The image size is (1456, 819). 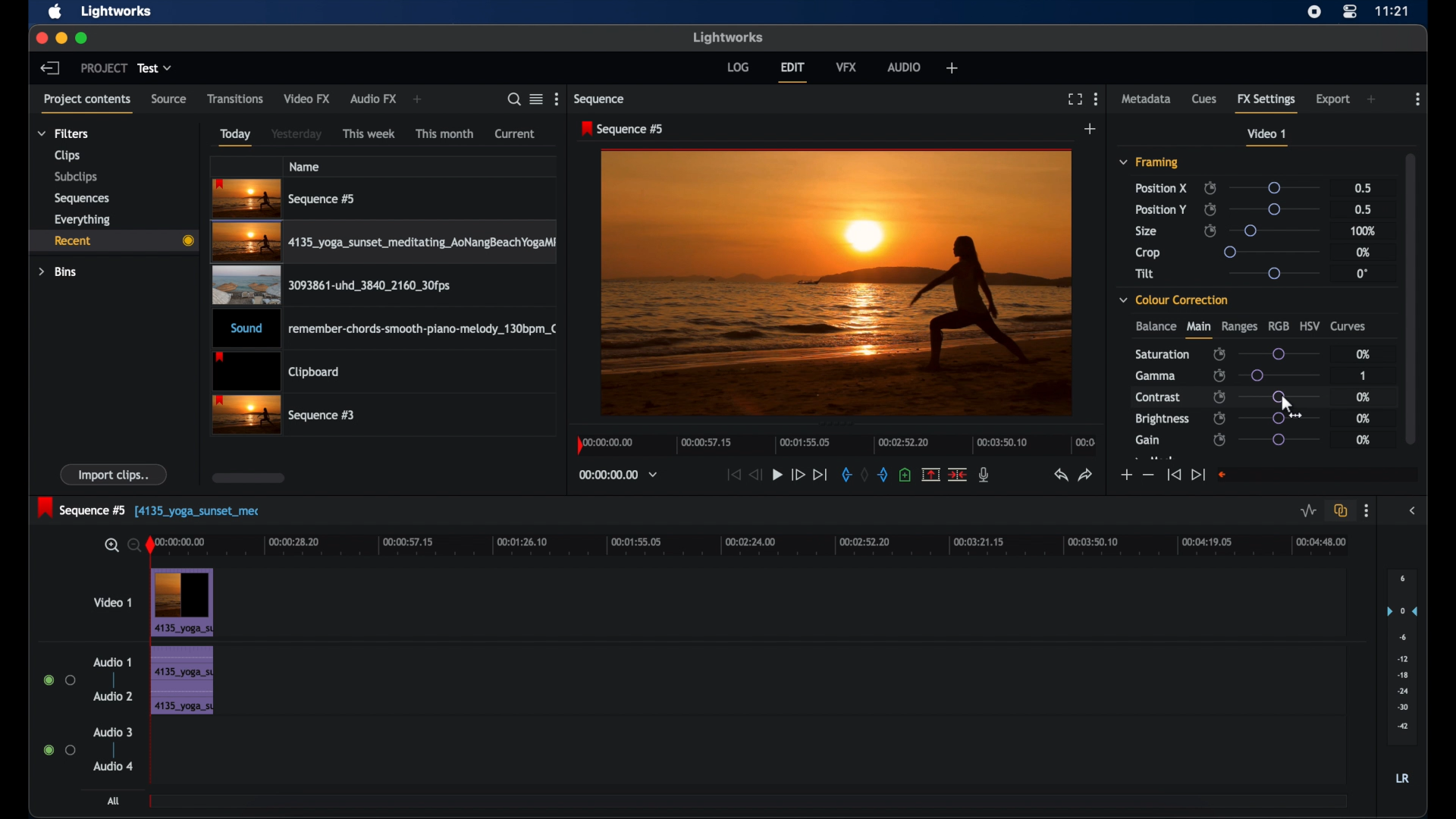 What do you see at coordinates (1361, 252) in the screenshot?
I see `0%` at bounding box center [1361, 252].